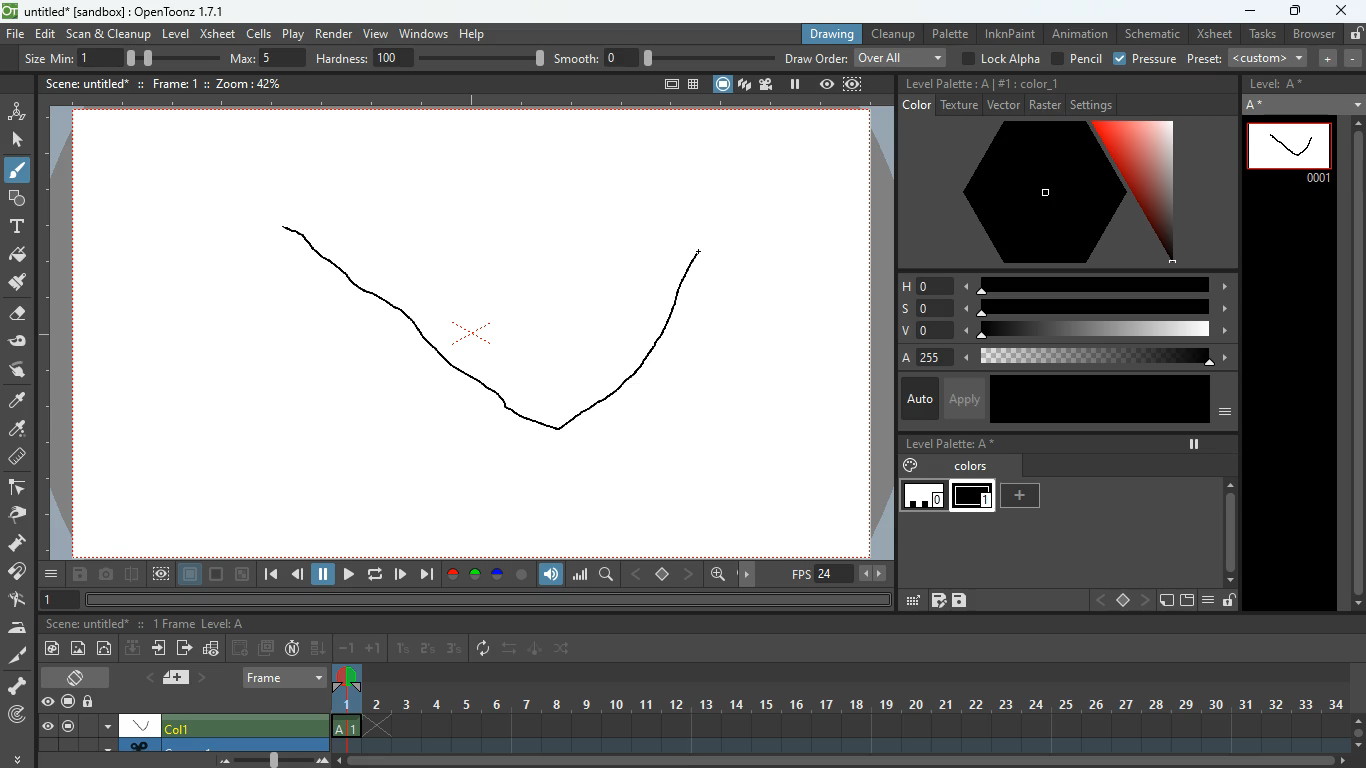  I want to click on paint, so click(16, 283).